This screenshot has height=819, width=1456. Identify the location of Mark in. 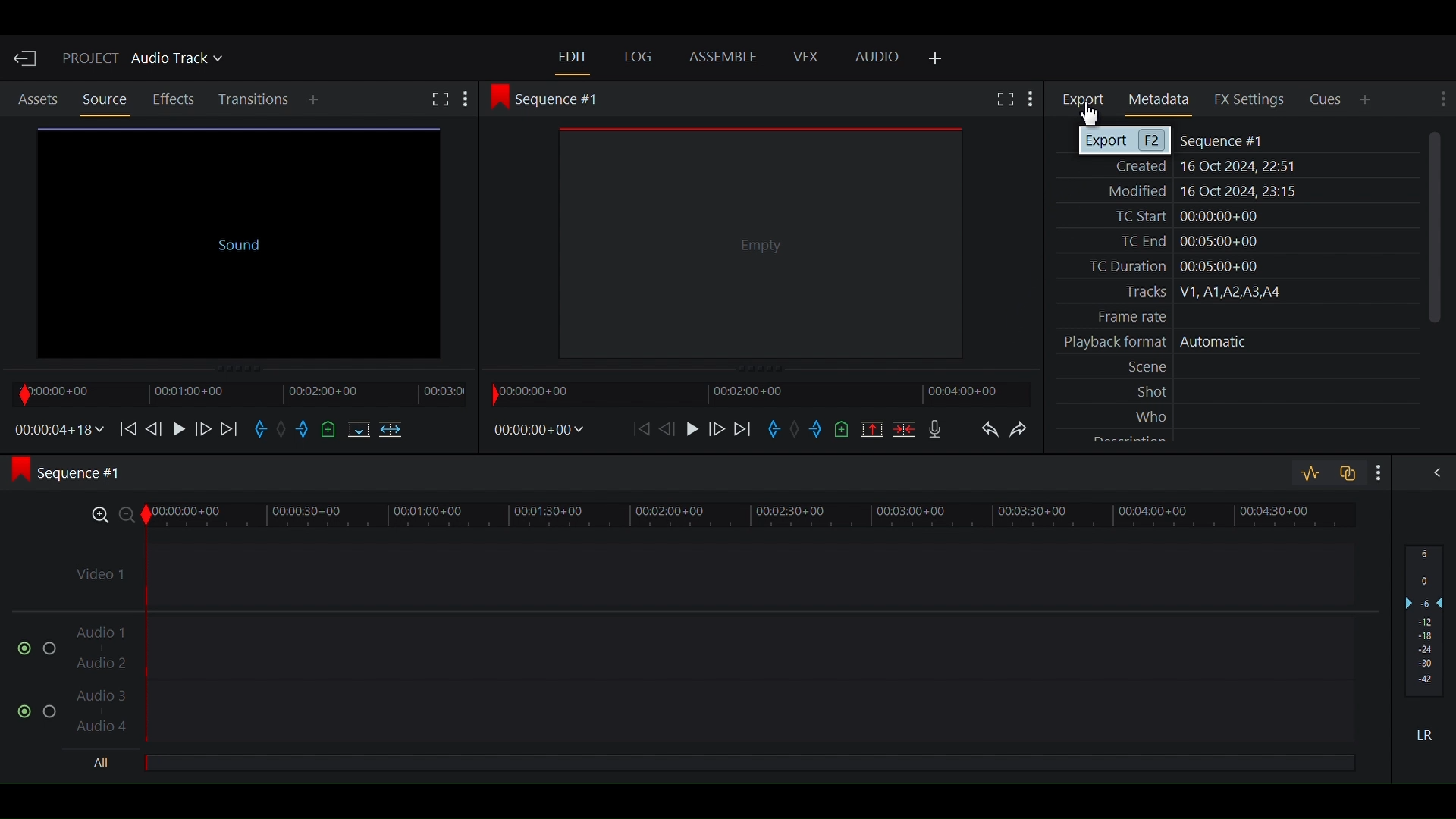
(262, 431).